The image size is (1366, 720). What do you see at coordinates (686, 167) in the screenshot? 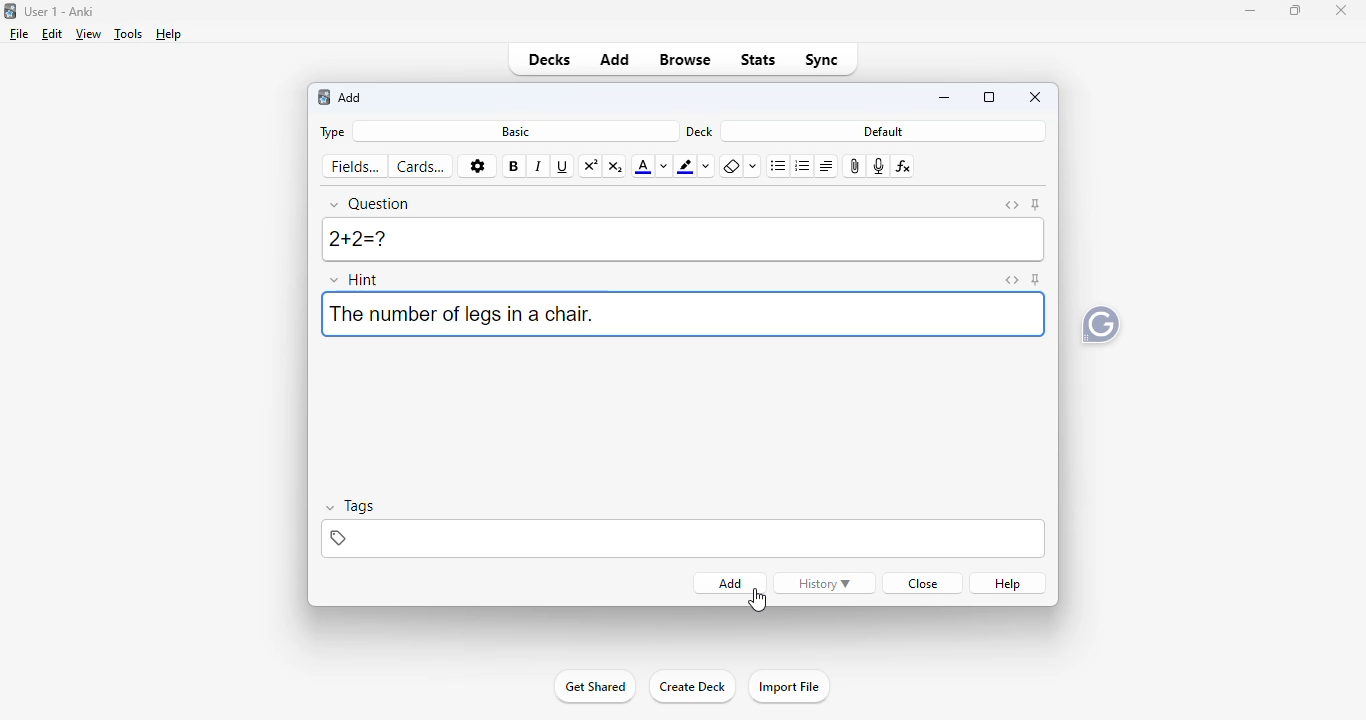
I see `text highlighting color` at bounding box center [686, 167].